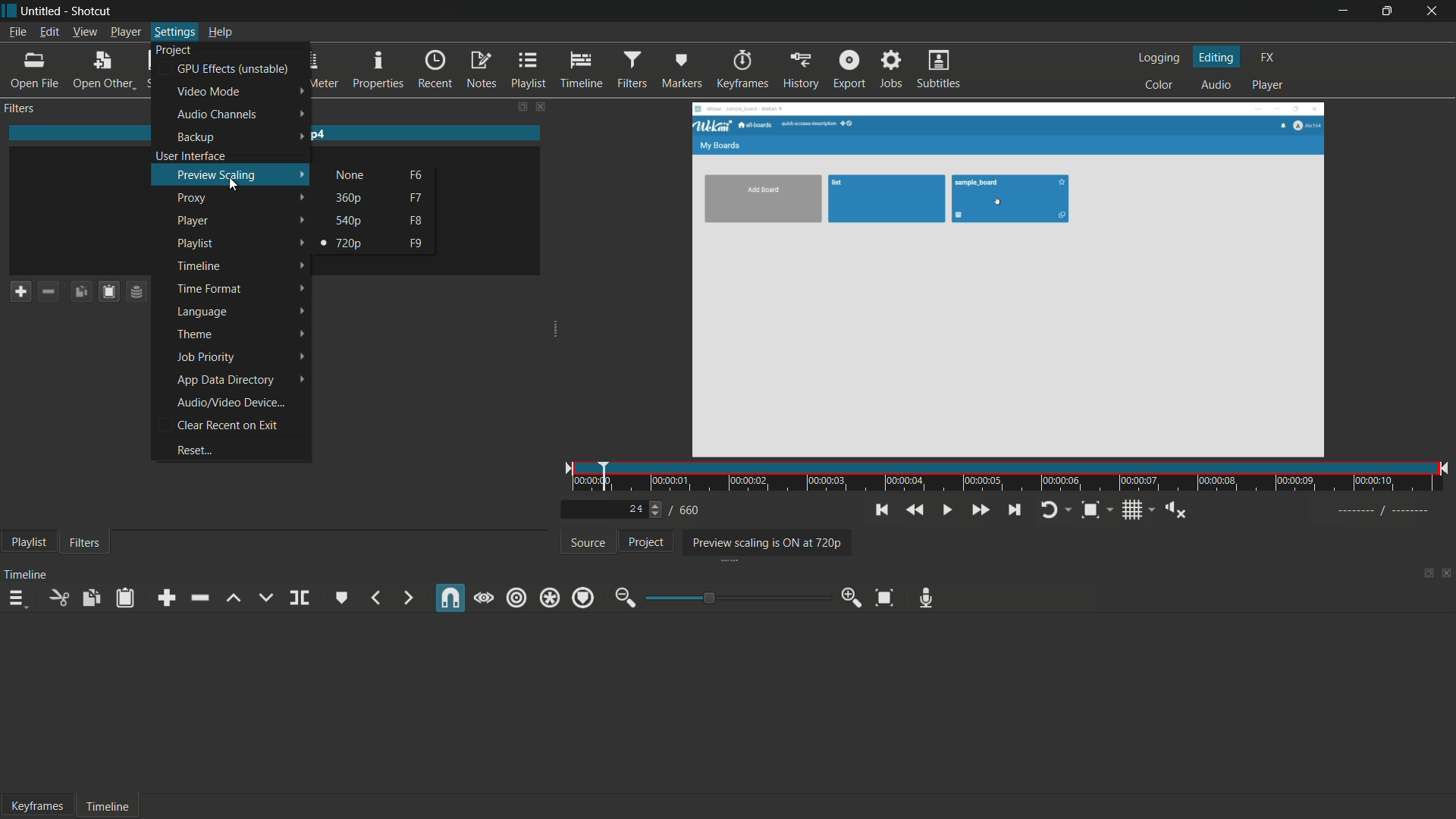  Describe the element at coordinates (94, 11) in the screenshot. I see `app name` at that location.